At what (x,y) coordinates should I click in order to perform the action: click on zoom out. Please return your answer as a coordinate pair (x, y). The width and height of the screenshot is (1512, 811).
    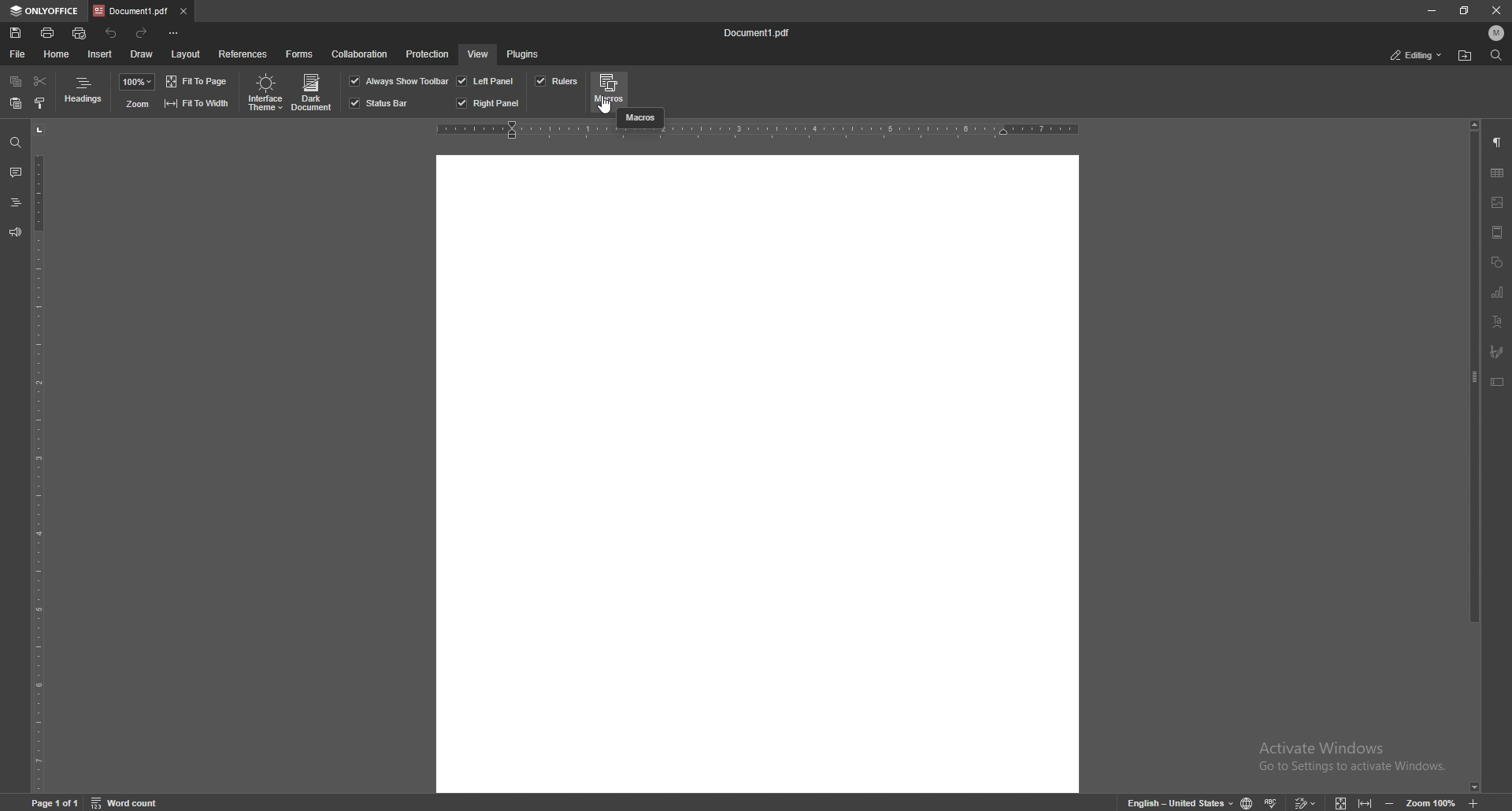
    Looking at the image, I should click on (1392, 802).